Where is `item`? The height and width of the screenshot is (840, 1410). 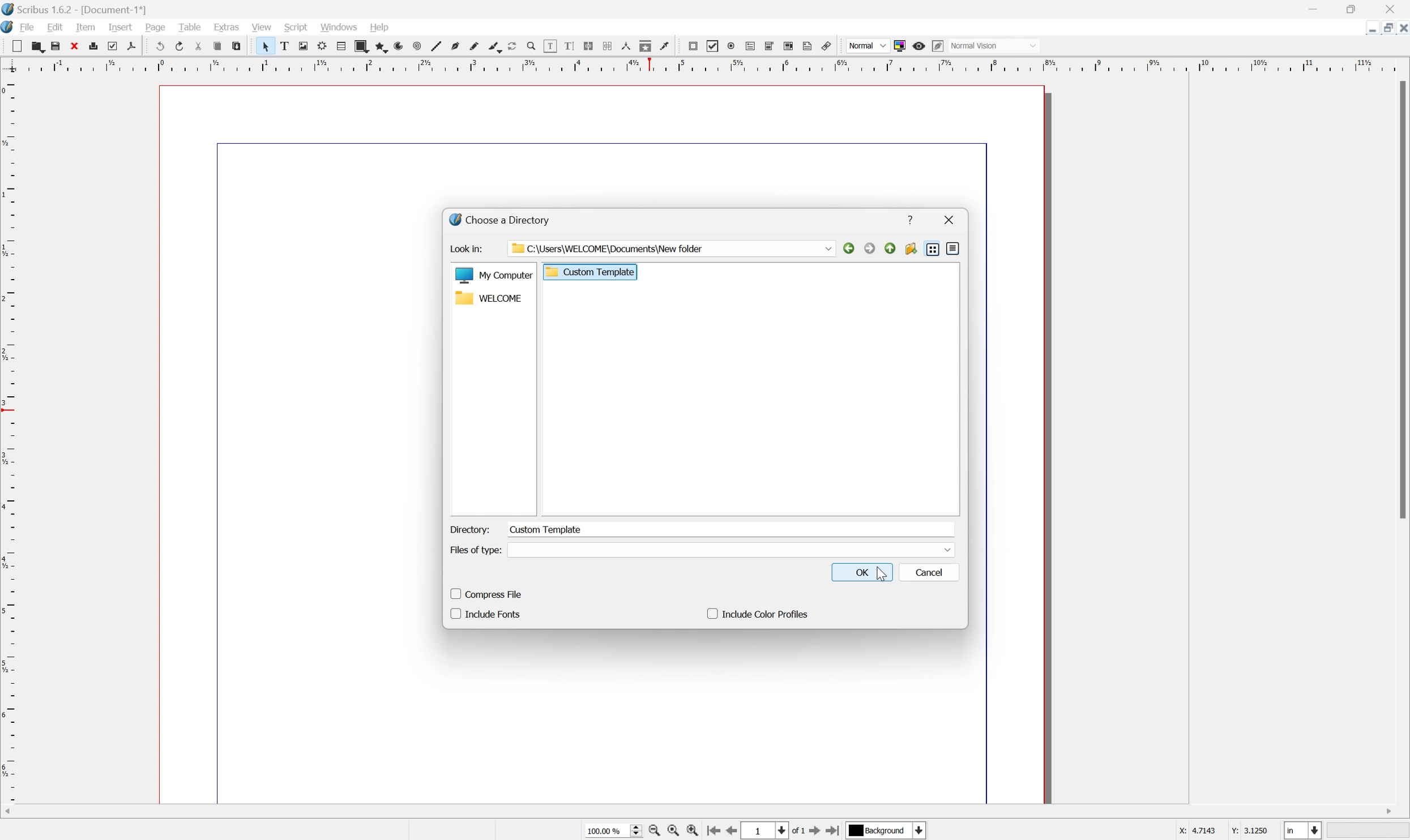
item is located at coordinates (87, 27).